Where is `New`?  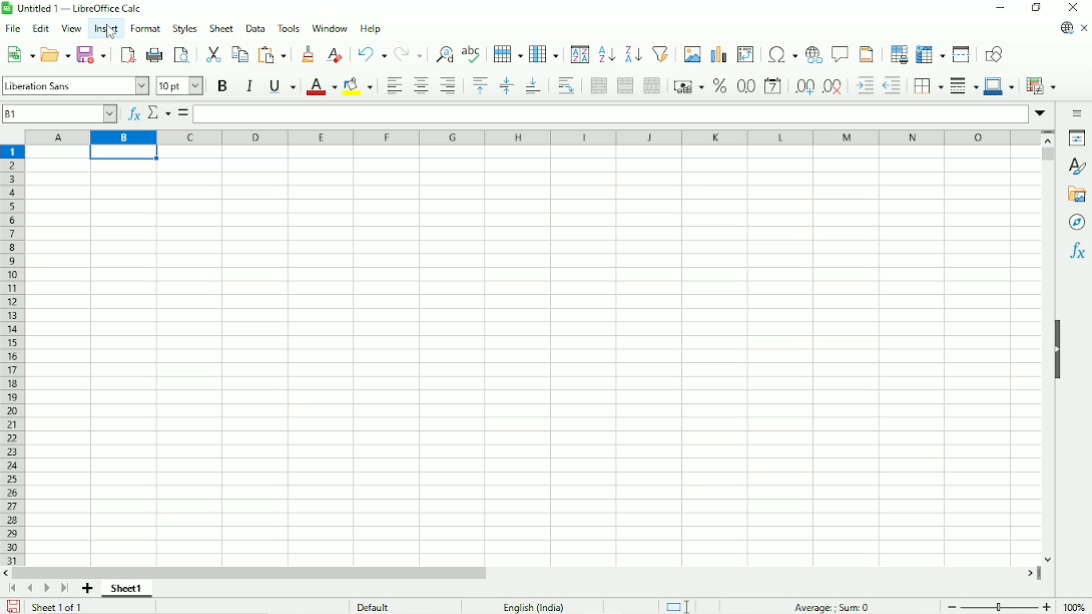
New is located at coordinates (20, 55).